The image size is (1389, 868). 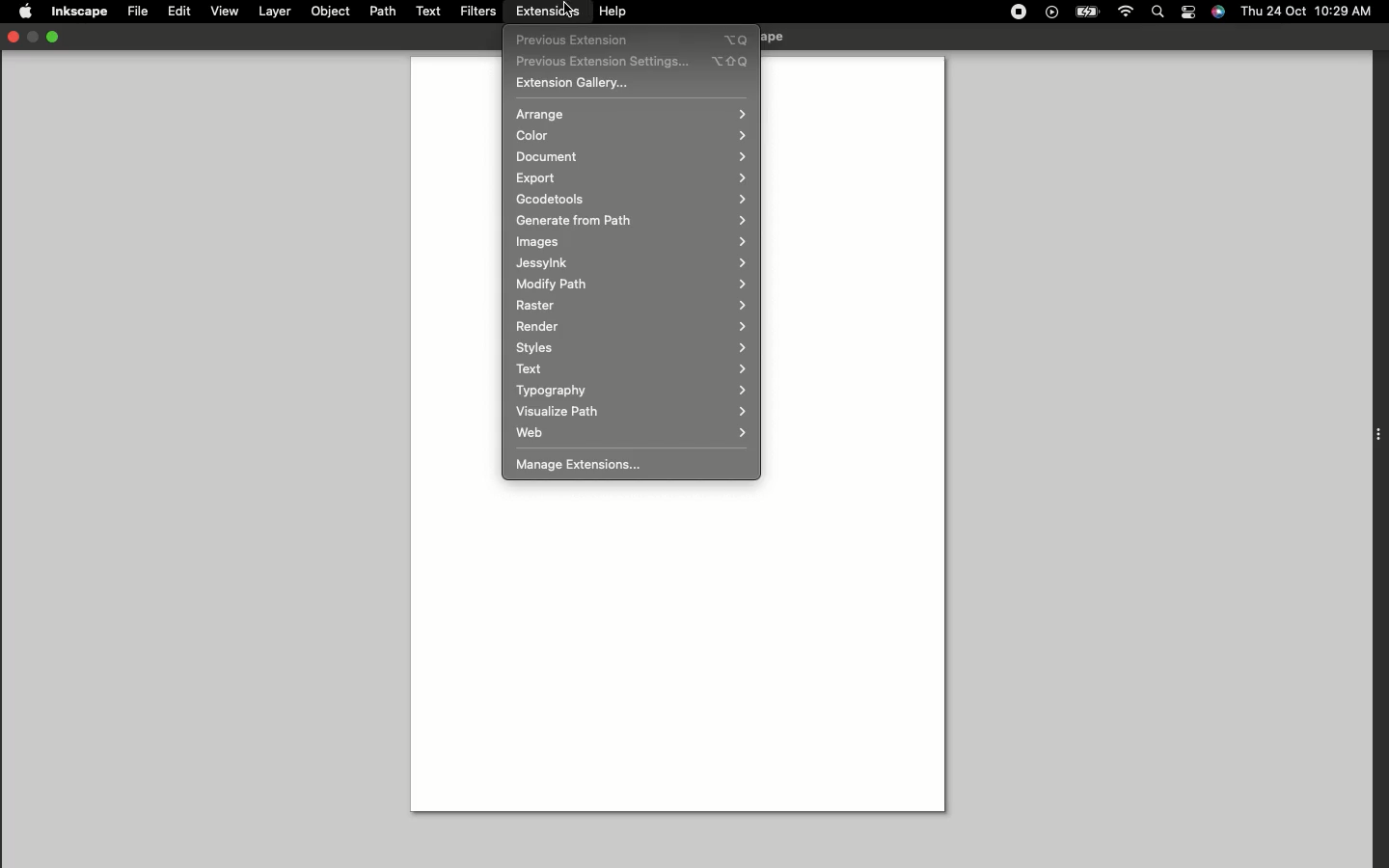 I want to click on Voice control, so click(x=1218, y=12).